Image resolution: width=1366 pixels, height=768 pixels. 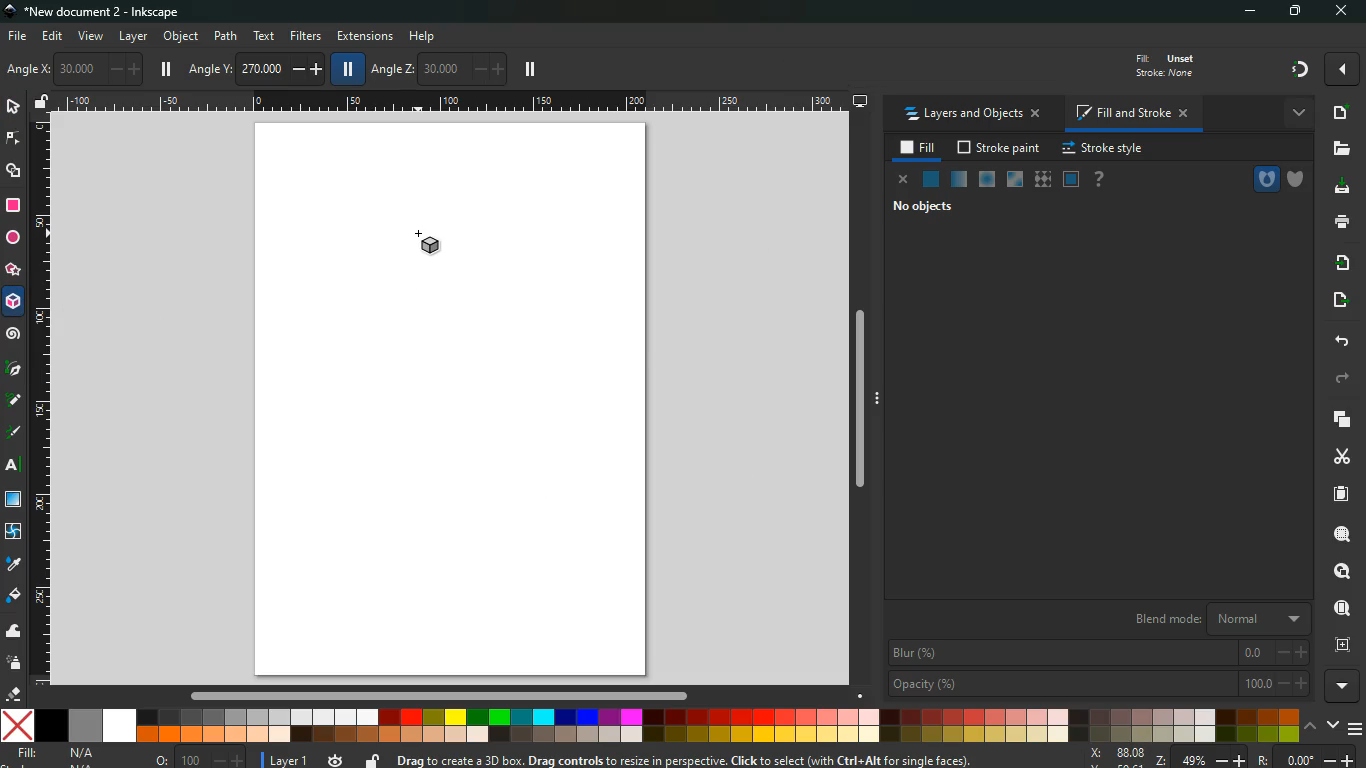 What do you see at coordinates (92, 37) in the screenshot?
I see `view` at bounding box center [92, 37].